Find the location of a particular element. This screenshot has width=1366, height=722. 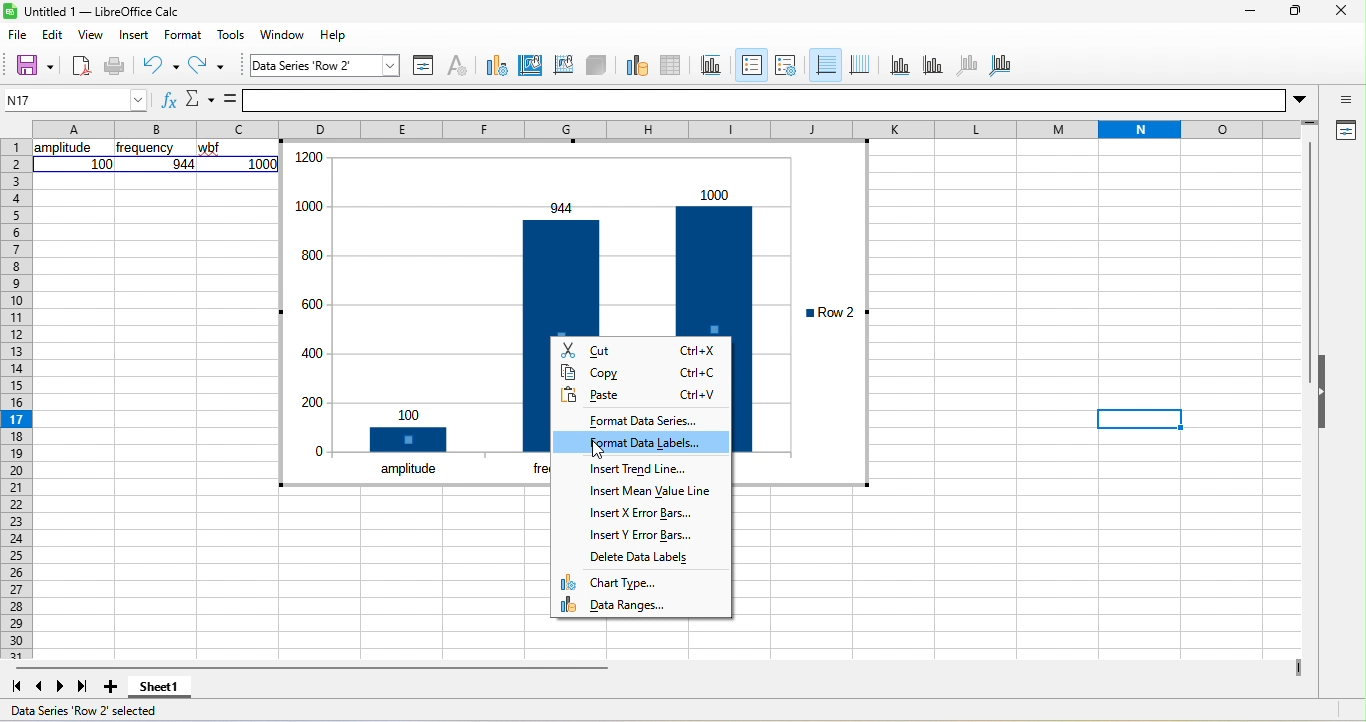

sidebar settings is located at coordinates (1343, 96).